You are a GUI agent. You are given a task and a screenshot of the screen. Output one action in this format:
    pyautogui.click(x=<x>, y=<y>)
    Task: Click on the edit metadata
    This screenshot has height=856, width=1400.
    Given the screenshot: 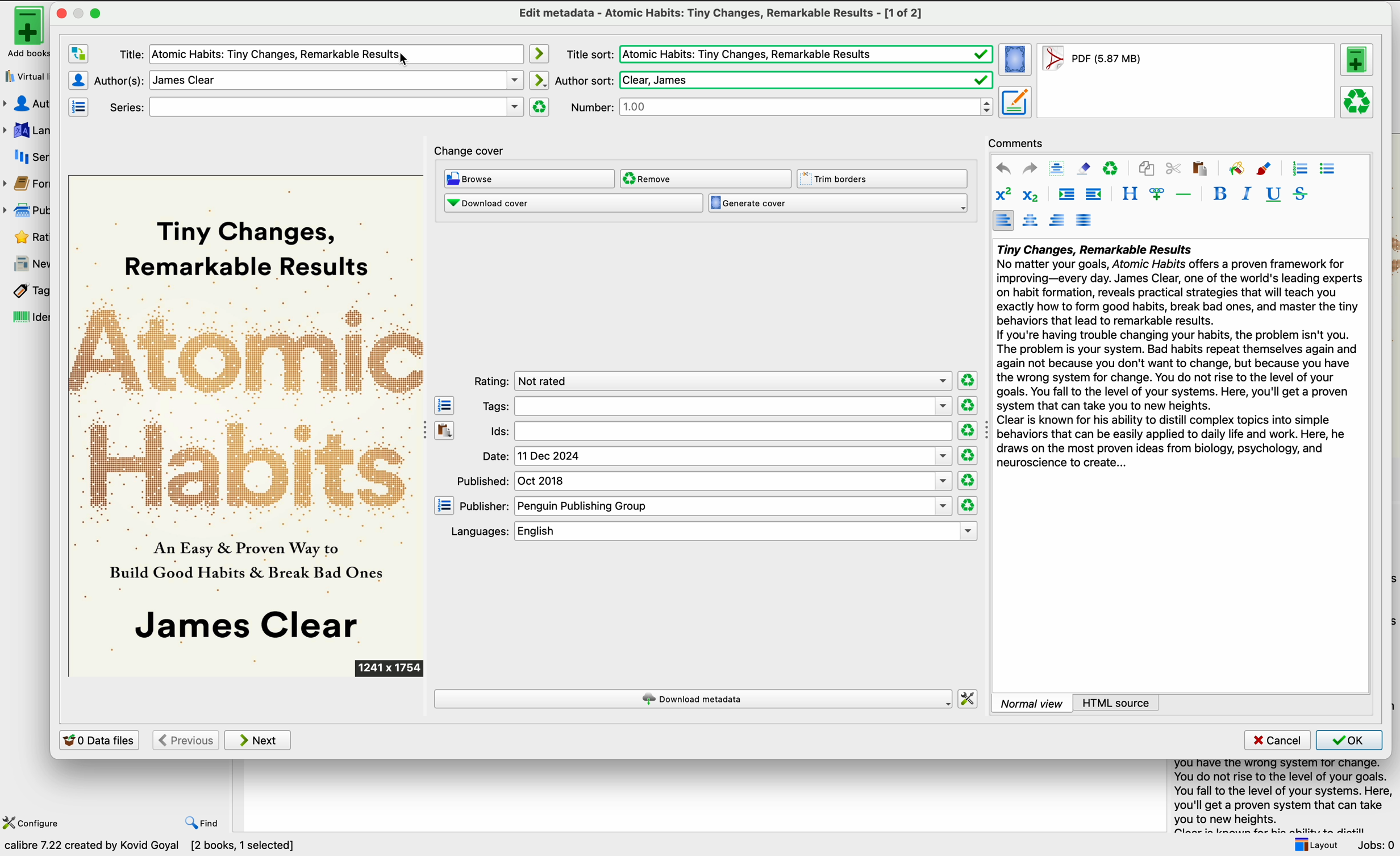 What is the action you would take?
    pyautogui.click(x=719, y=14)
    